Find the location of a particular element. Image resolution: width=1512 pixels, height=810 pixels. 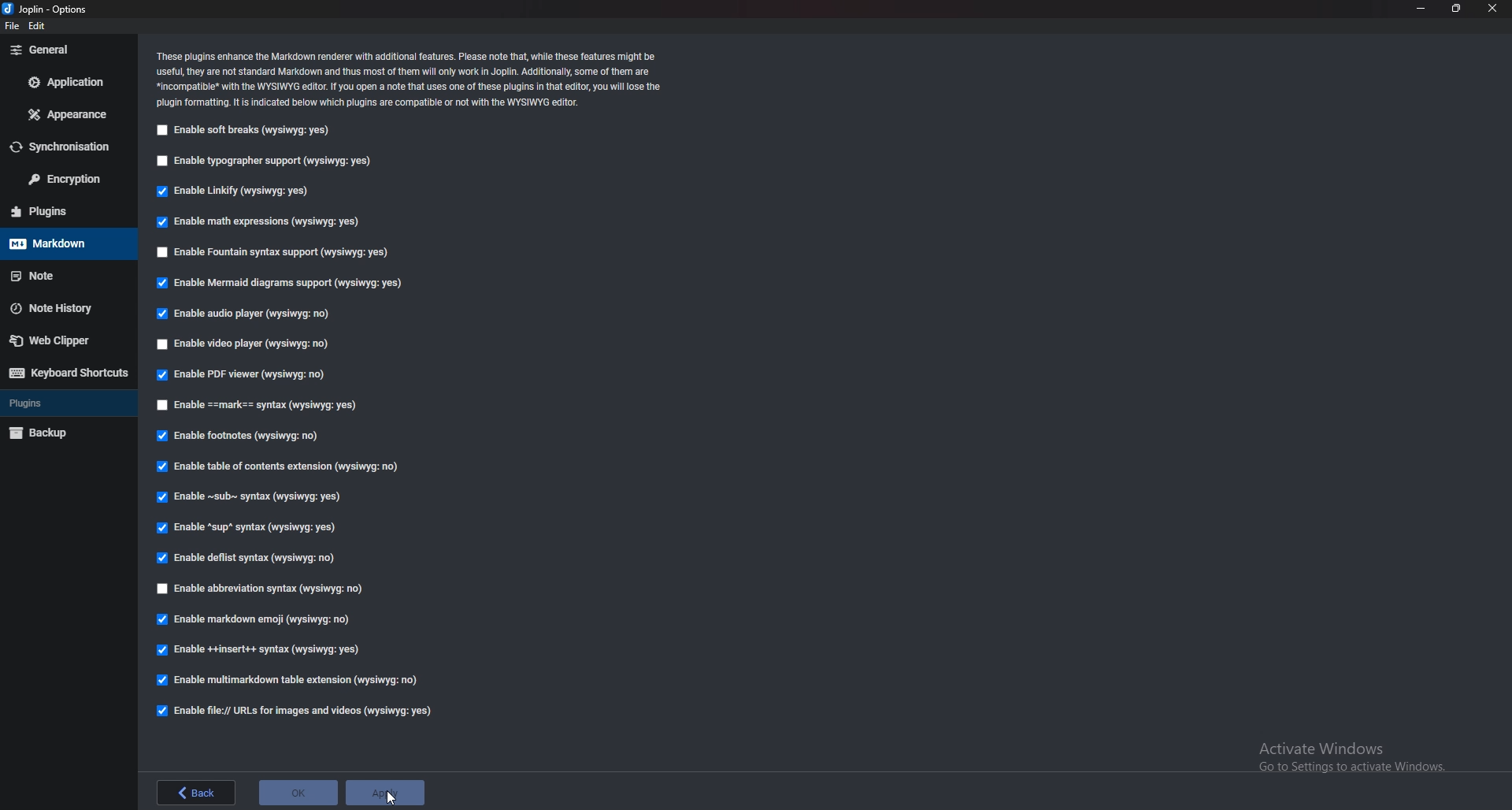

enable soft breaks is located at coordinates (243, 131).